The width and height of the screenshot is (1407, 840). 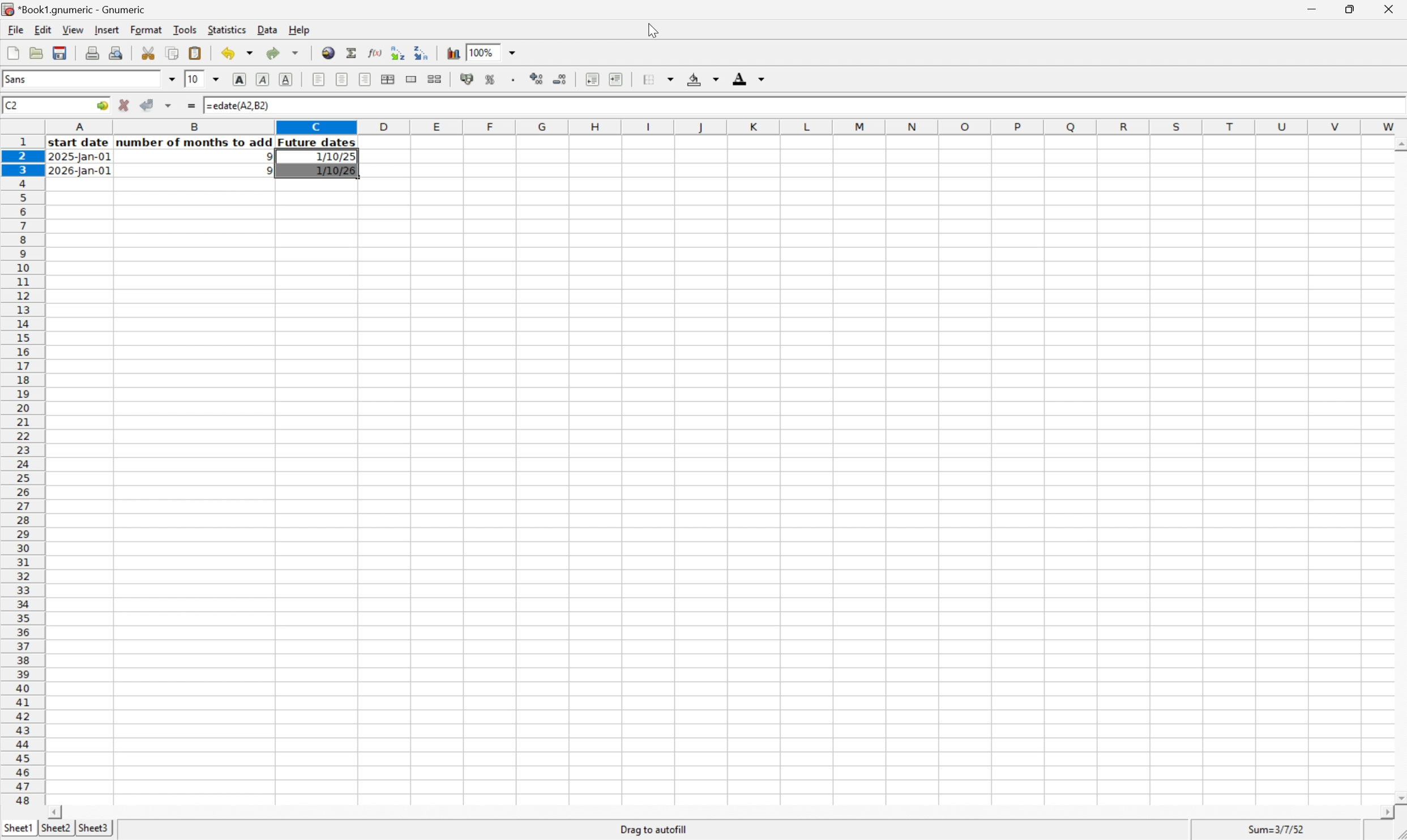 I want to click on Print current file, so click(x=94, y=53).